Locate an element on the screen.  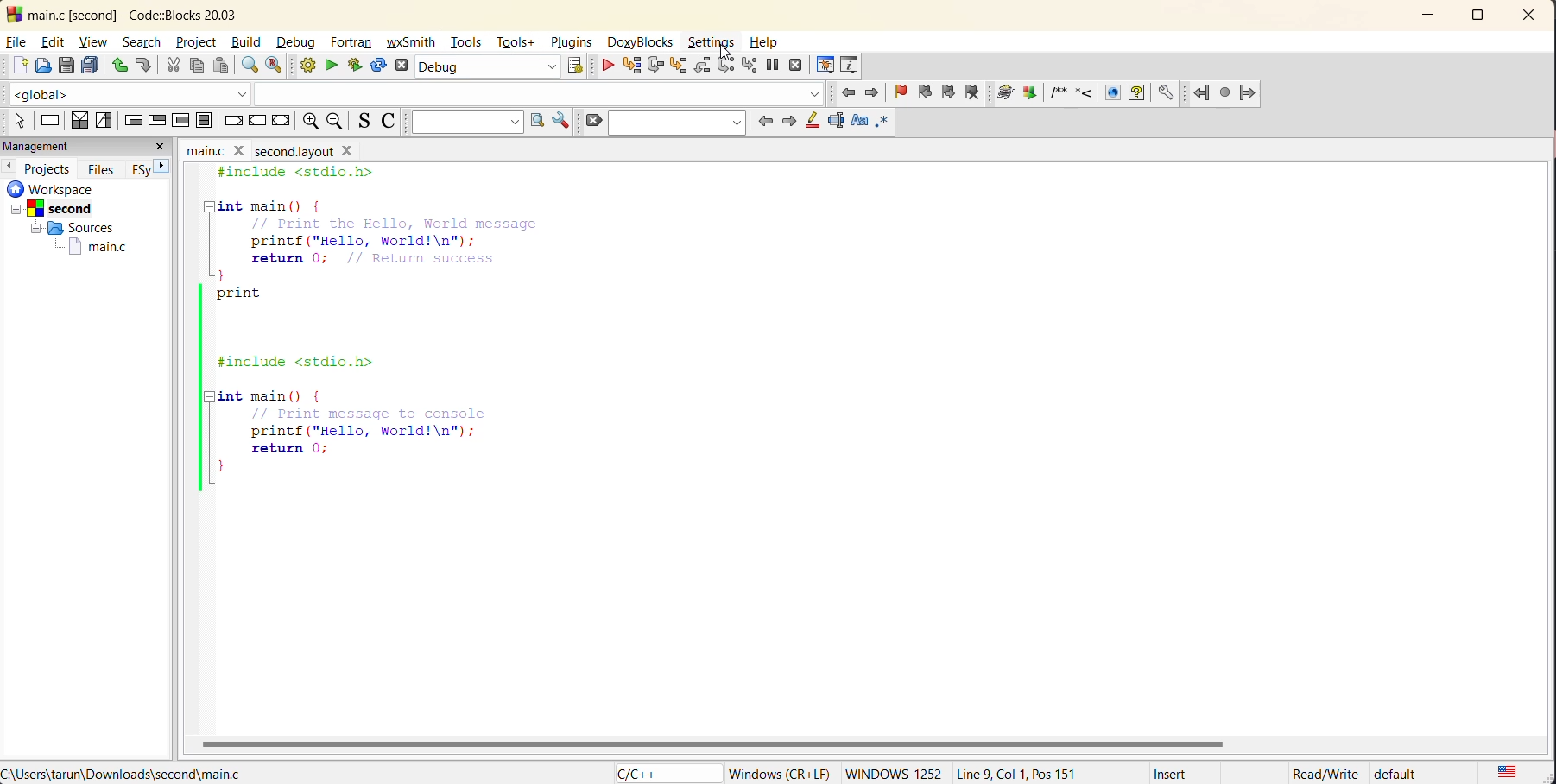
block instruction is located at coordinates (206, 121).